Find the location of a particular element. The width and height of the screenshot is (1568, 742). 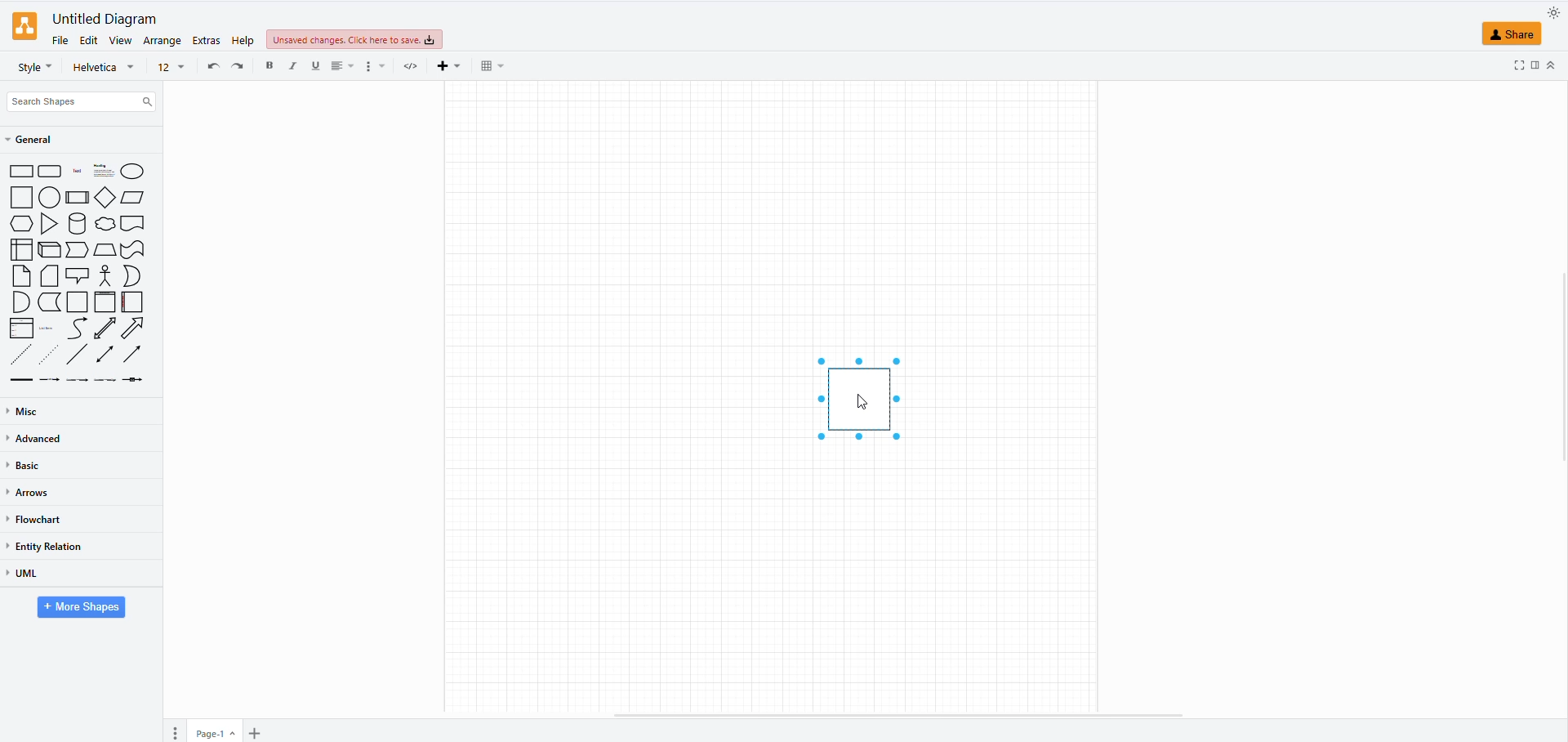

misc is located at coordinates (26, 411).